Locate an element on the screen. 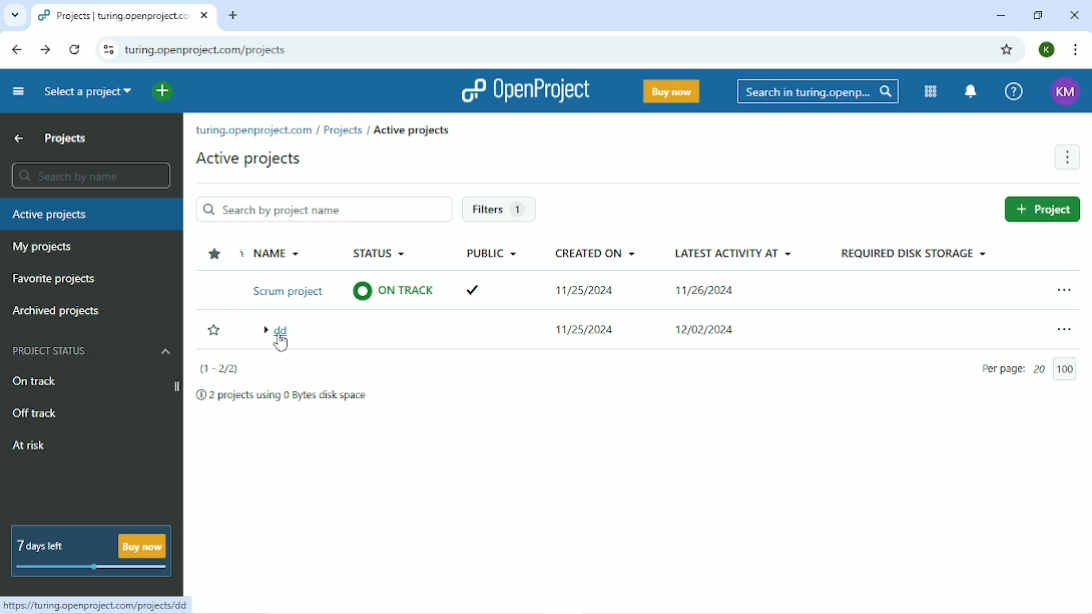 The image size is (1092, 614). Account is located at coordinates (1063, 90).